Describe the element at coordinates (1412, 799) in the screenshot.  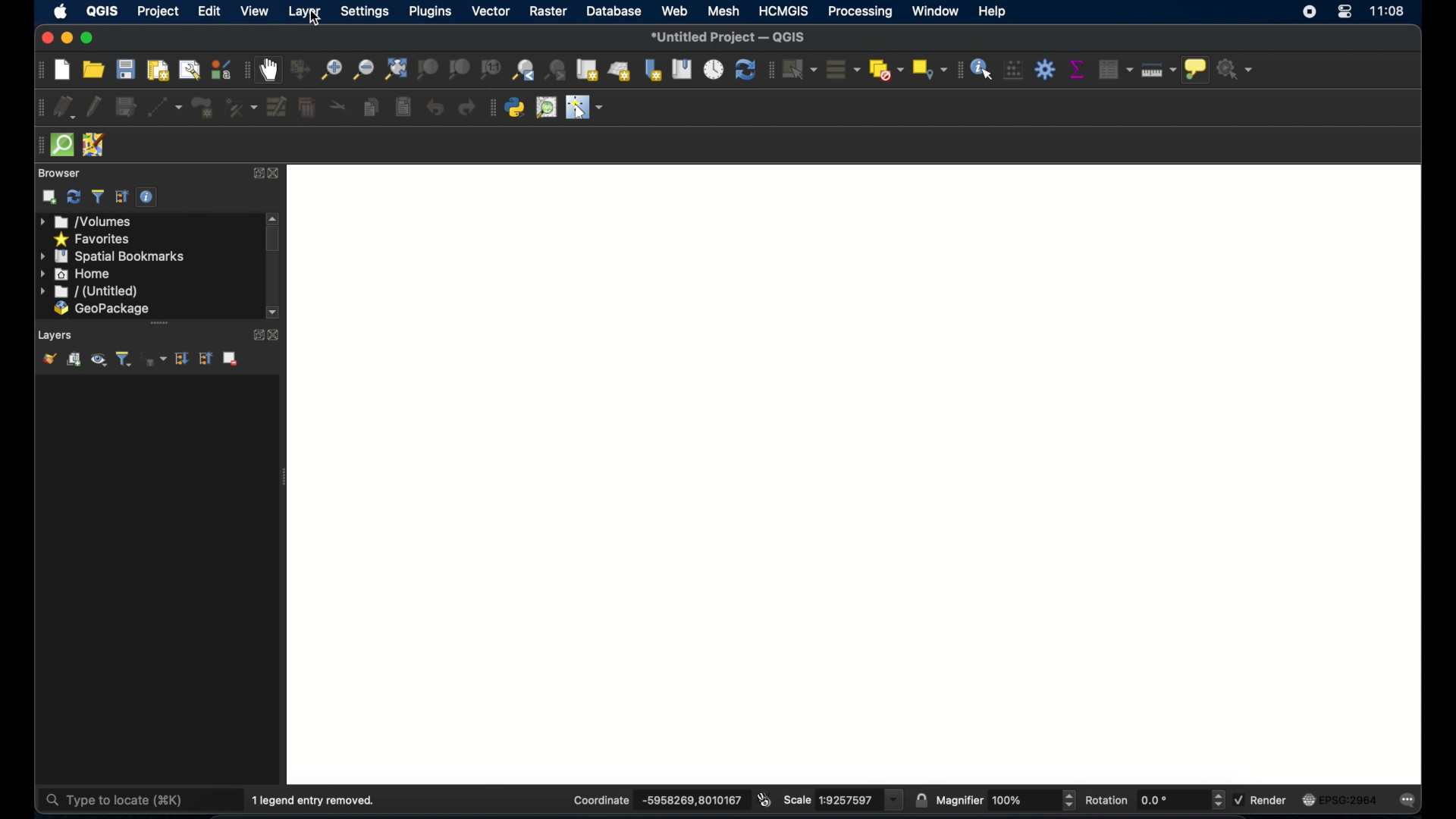
I see `messages` at that location.